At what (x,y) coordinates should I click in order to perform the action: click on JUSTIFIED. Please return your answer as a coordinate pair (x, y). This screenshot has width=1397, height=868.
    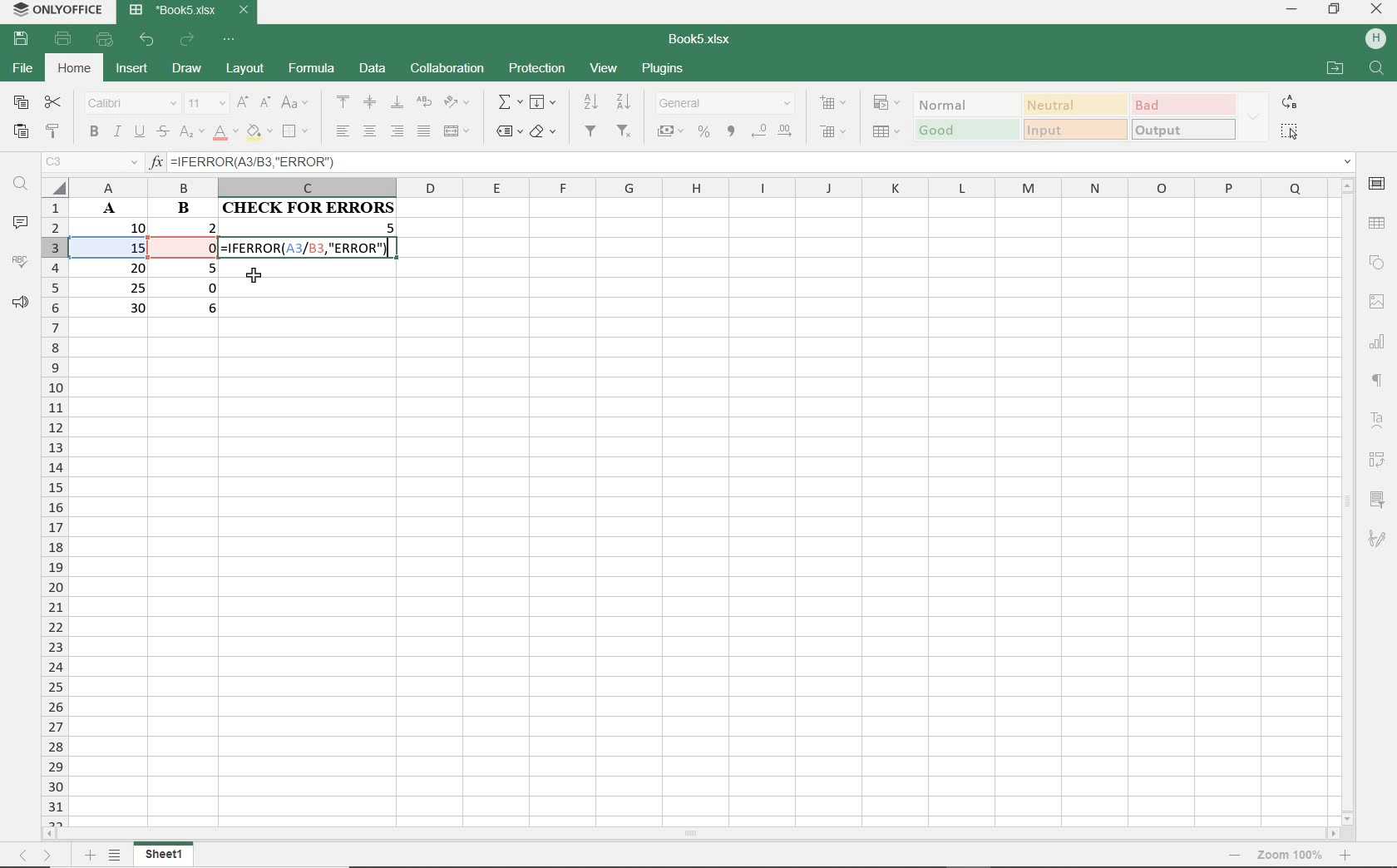
    Looking at the image, I should click on (425, 131).